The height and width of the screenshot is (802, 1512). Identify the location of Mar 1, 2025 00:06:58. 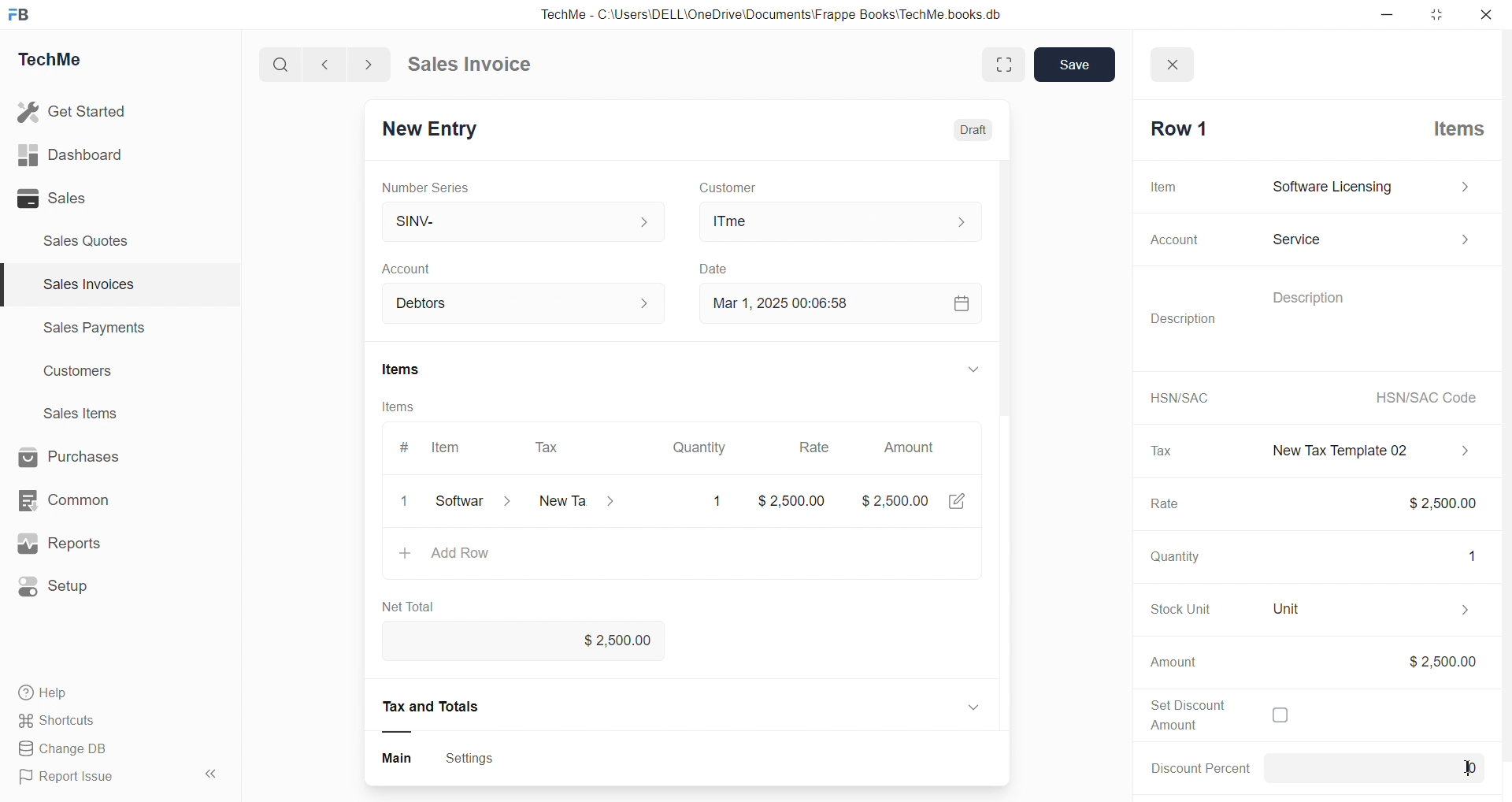
(774, 303).